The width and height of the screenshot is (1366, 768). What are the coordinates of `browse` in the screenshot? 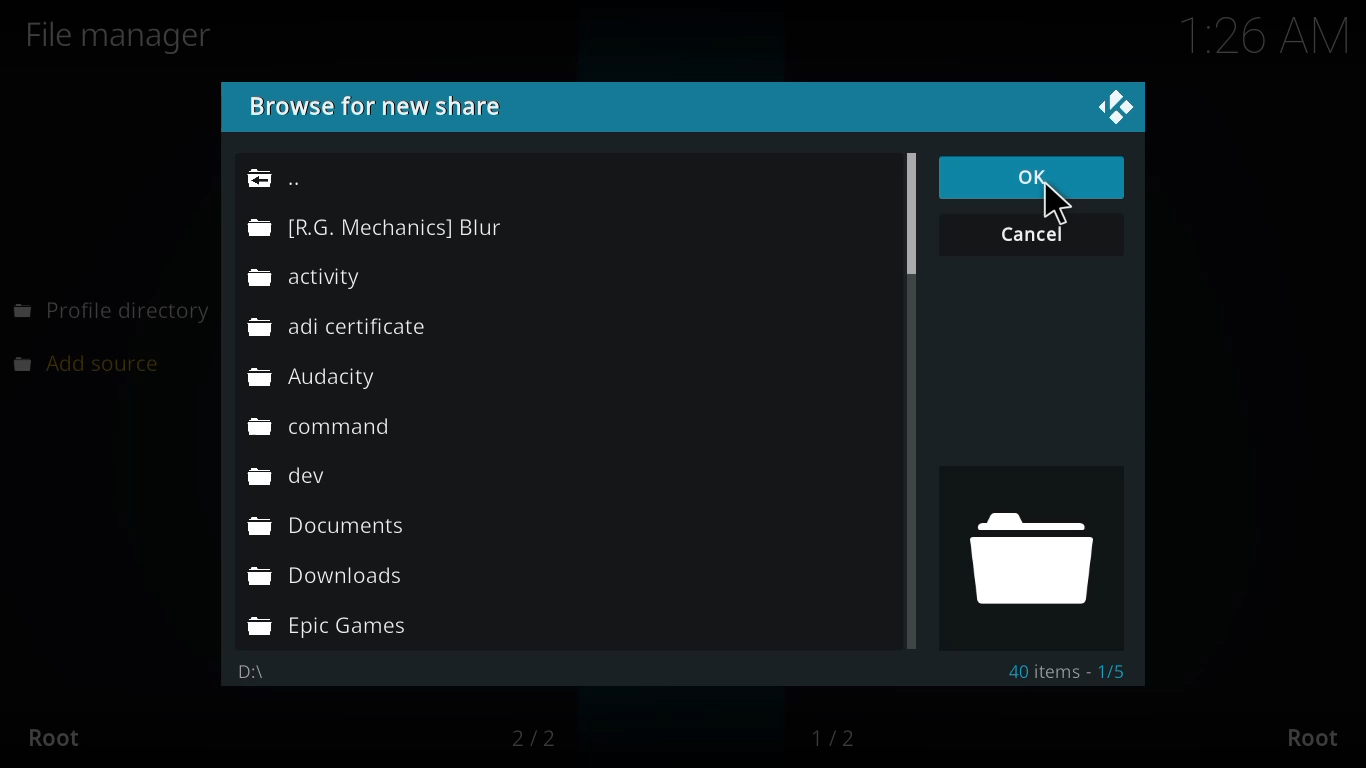 It's located at (385, 105).